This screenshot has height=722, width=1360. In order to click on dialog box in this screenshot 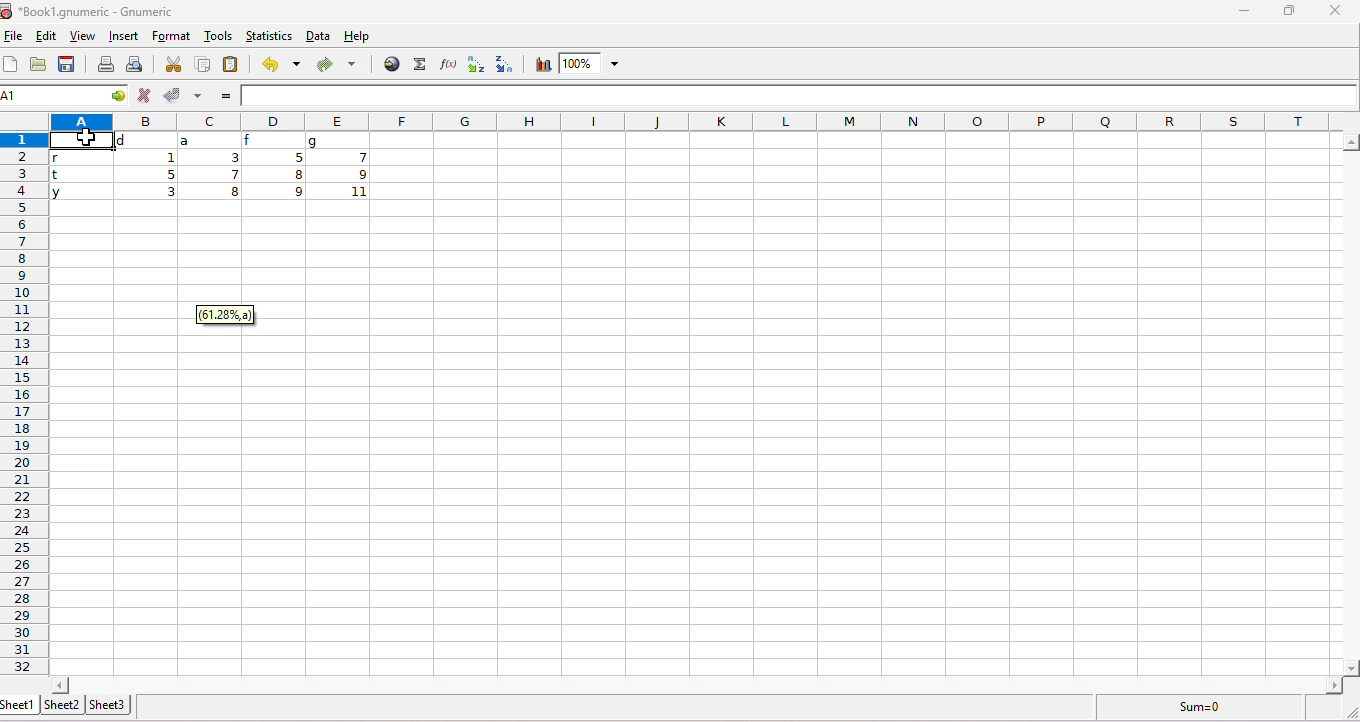, I will do `click(229, 314)`.